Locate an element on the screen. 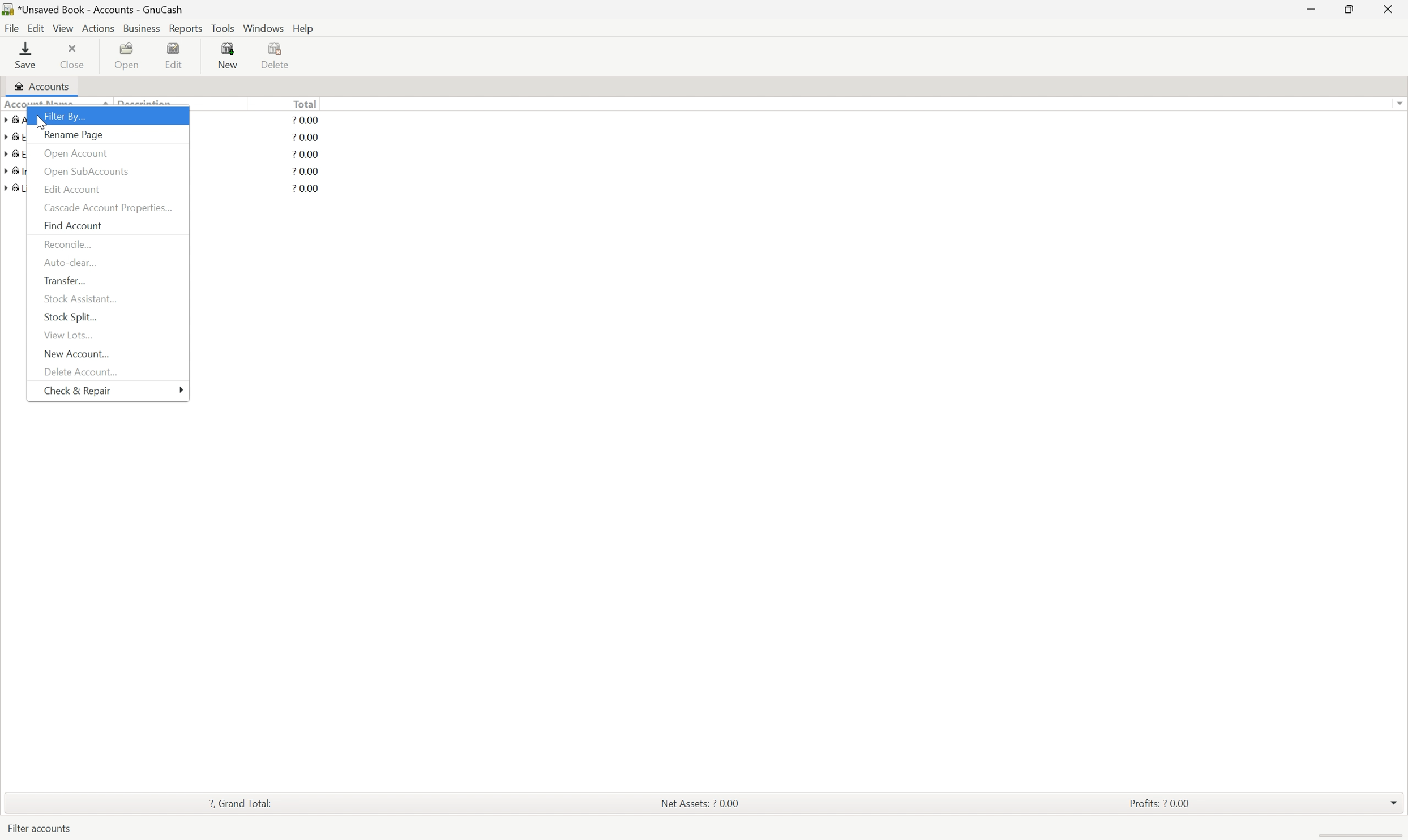 The width and height of the screenshot is (1408, 840). Total is located at coordinates (305, 103).